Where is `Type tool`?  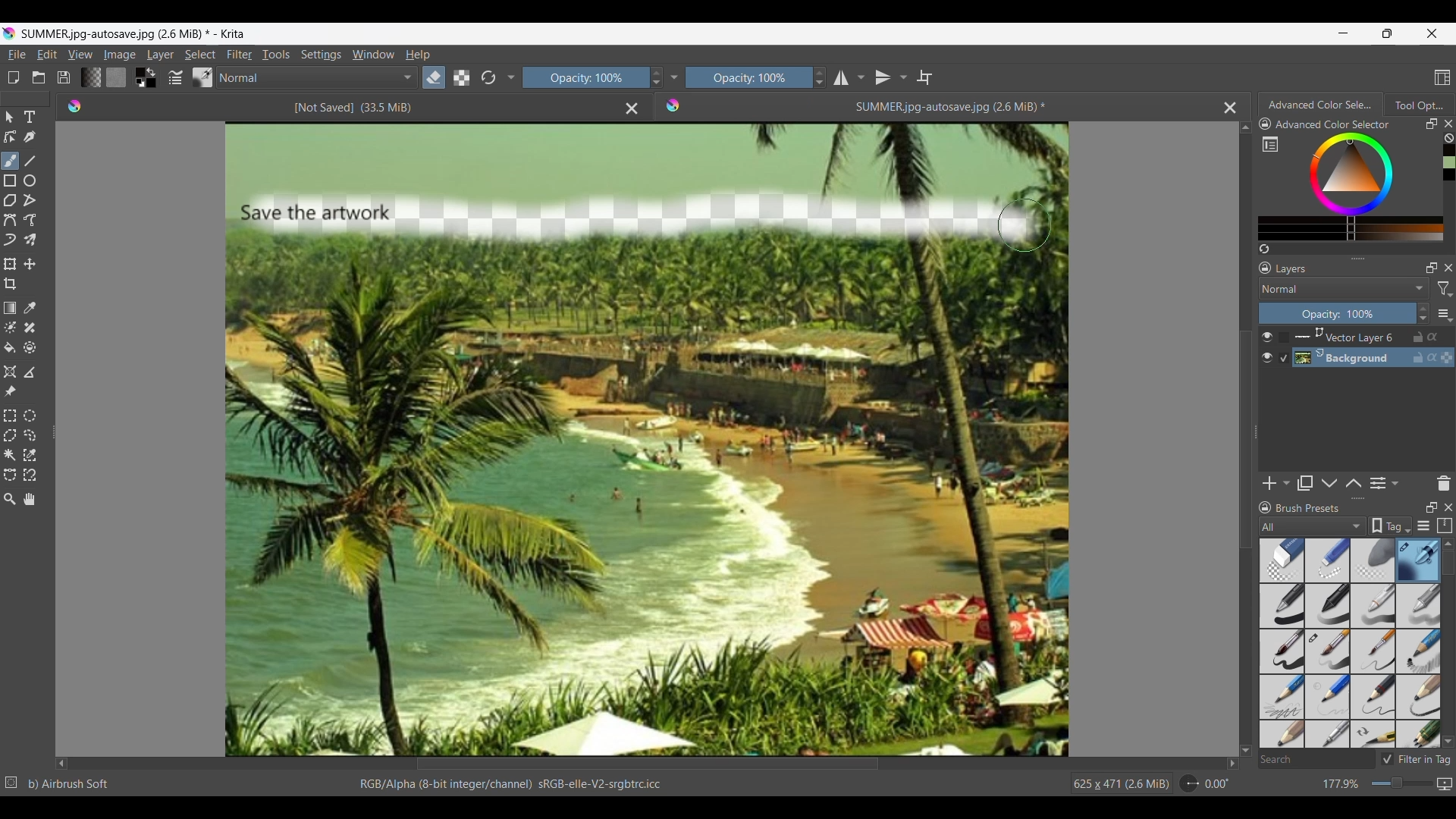
Type tool is located at coordinates (30, 117).